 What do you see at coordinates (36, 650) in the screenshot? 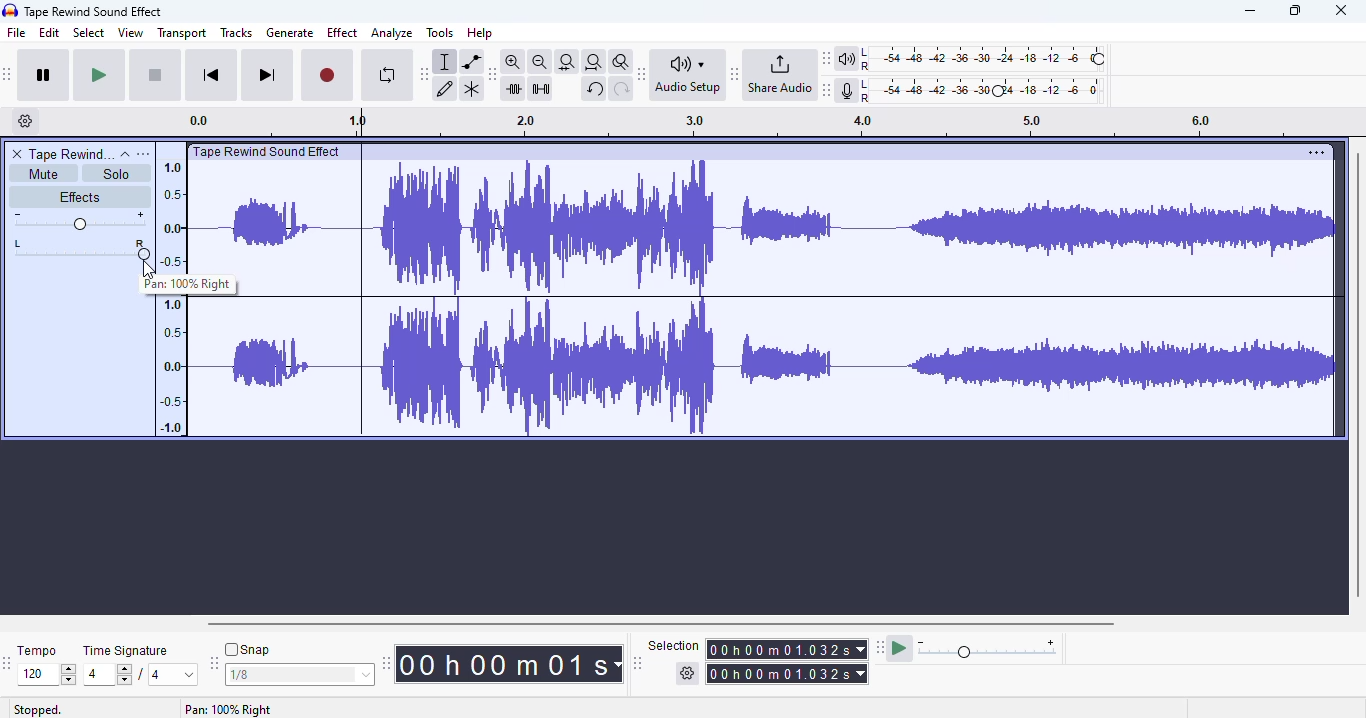
I see `tempo` at bounding box center [36, 650].